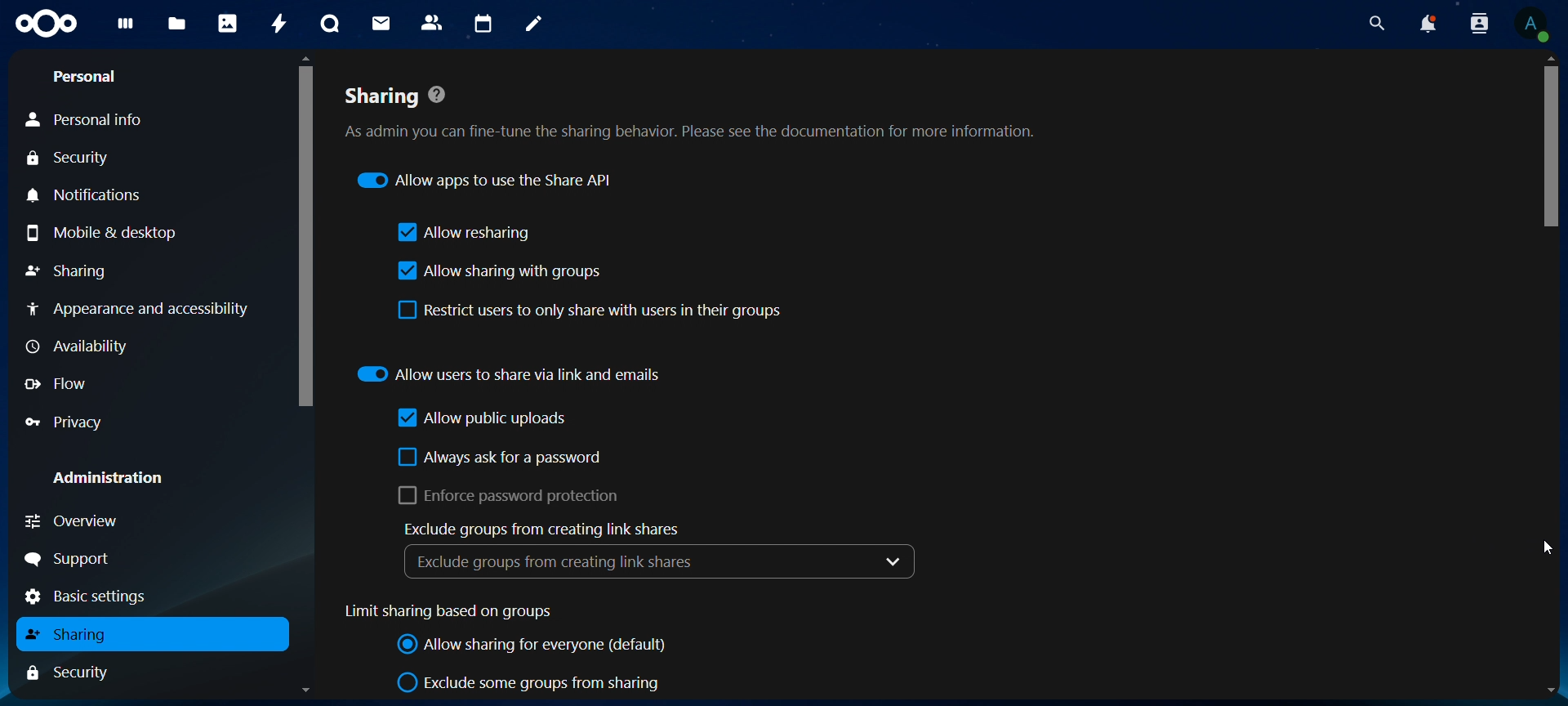 The height and width of the screenshot is (706, 1568). What do you see at coordinates (112, 476) in the screenshot?
I see `administration` at bounding box center [112, 476].